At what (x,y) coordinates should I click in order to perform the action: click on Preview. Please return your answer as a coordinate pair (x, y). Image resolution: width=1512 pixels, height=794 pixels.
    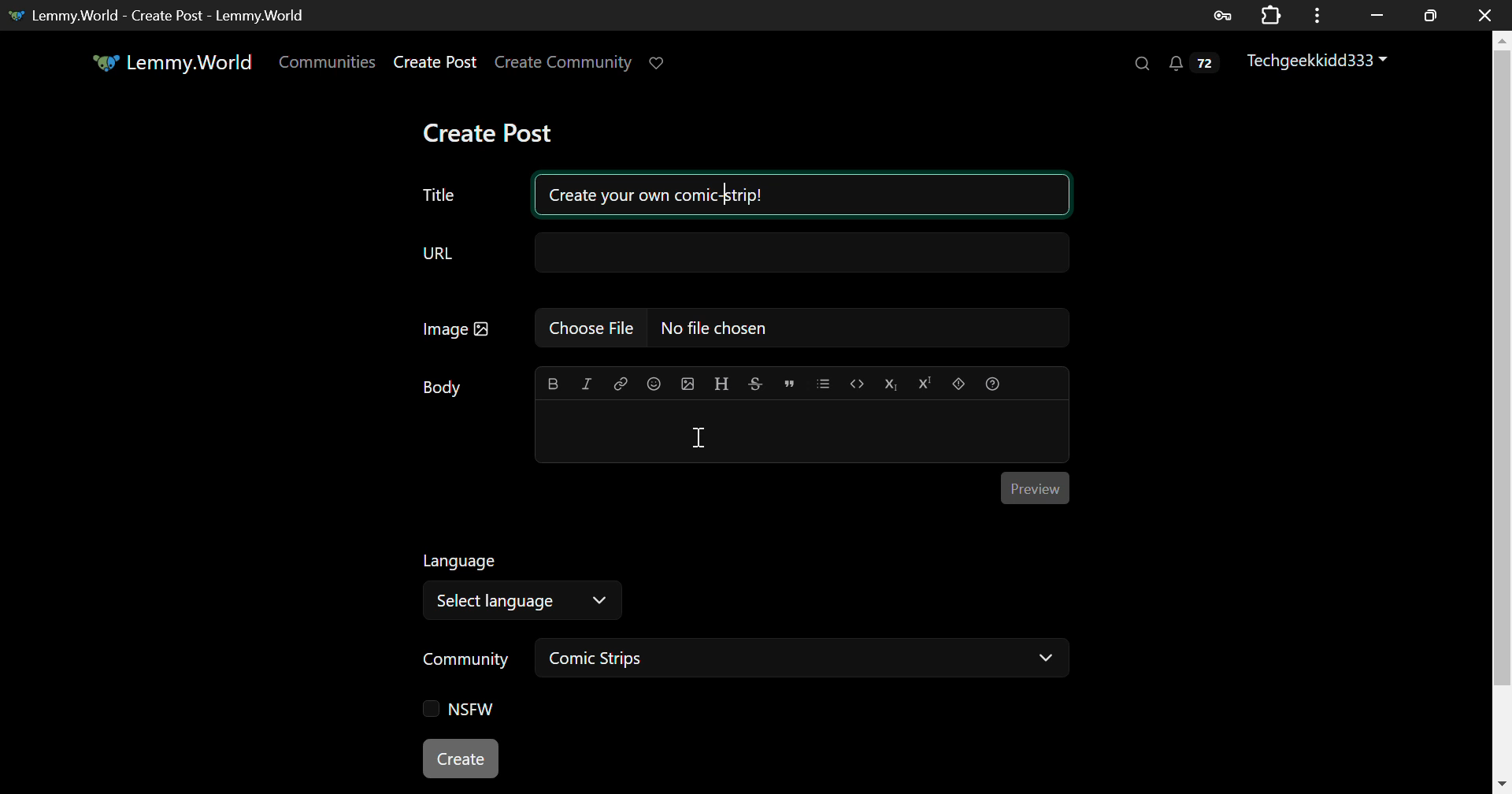
    Looking at the image, I should click on (1033, 485).